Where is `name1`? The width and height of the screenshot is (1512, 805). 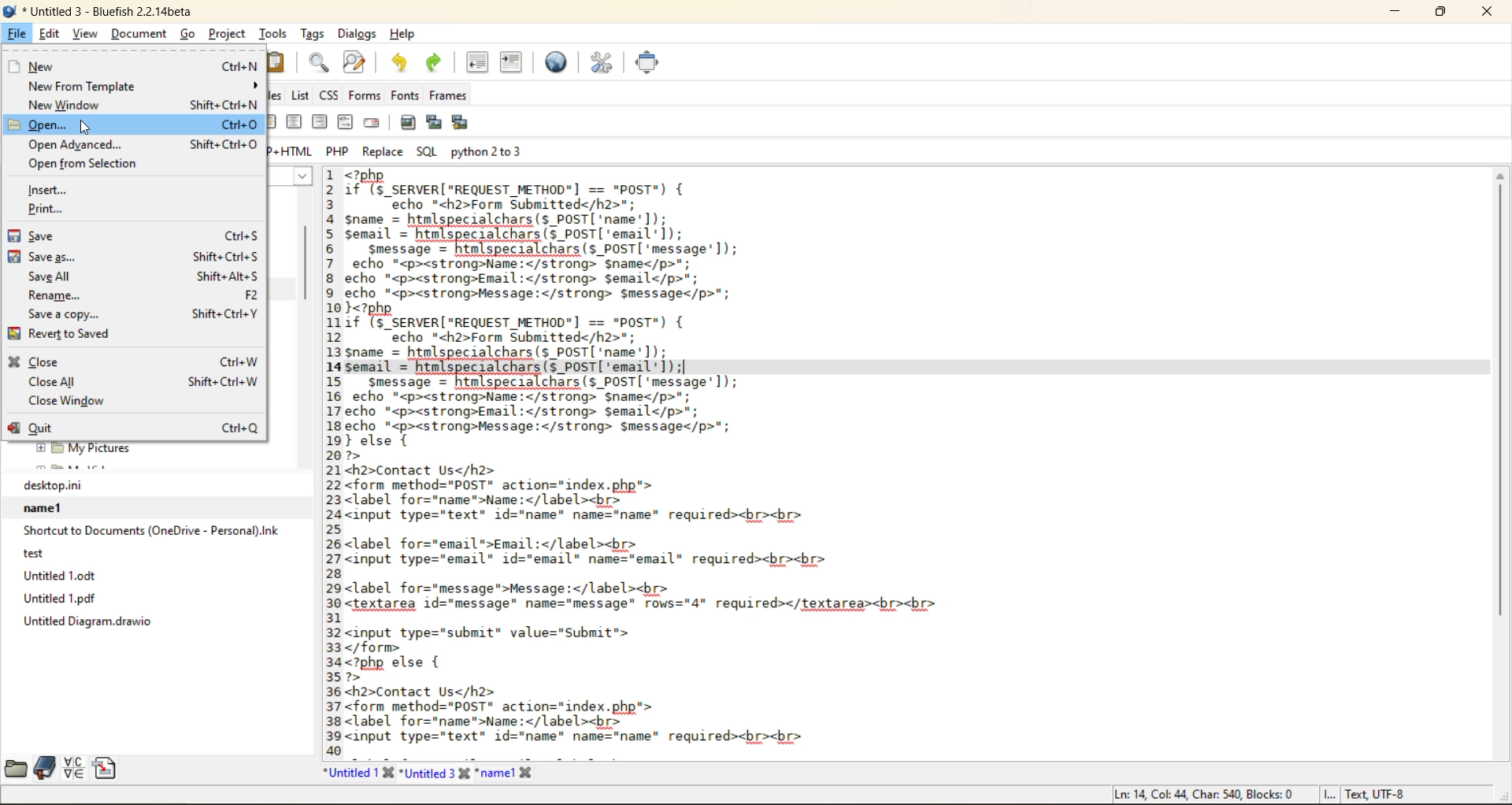
name1 is located at coordinates (153, 507).